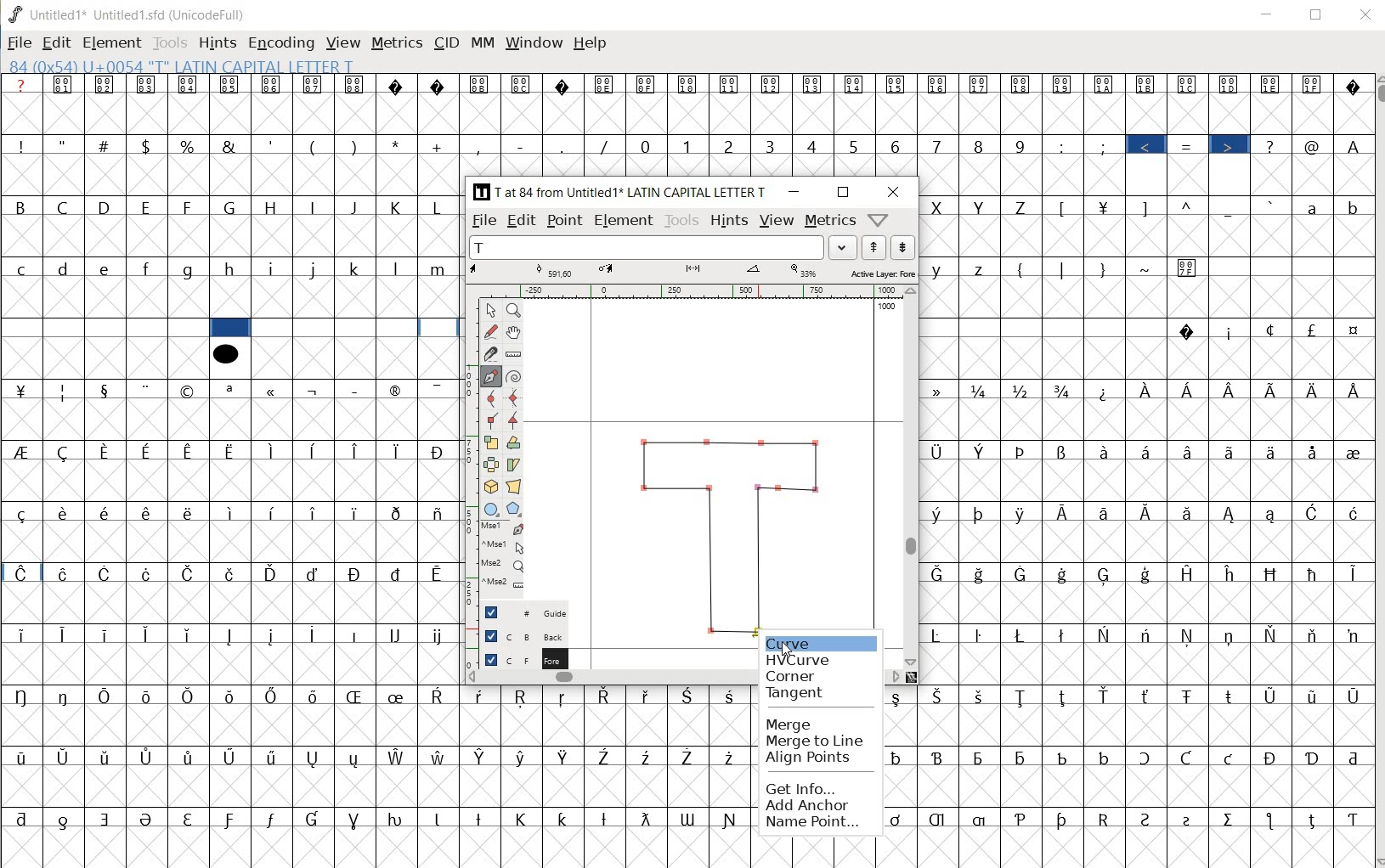  Describe the element at coordinates (936, 145) in the screenshot. I see `7` at that location.